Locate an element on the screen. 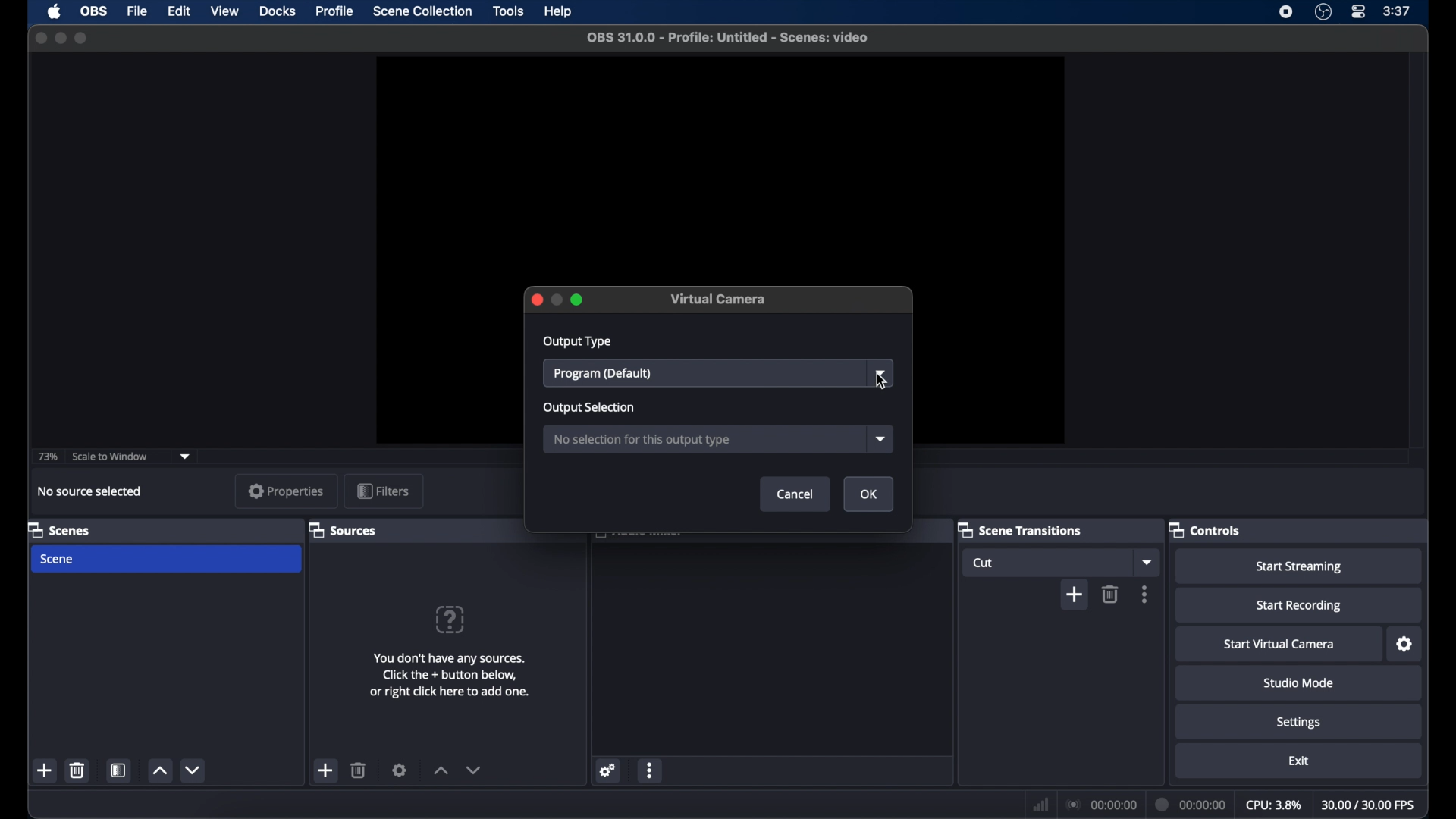 This screenshot has width=1456, height=819. output type is located at coordinates (577, 342).